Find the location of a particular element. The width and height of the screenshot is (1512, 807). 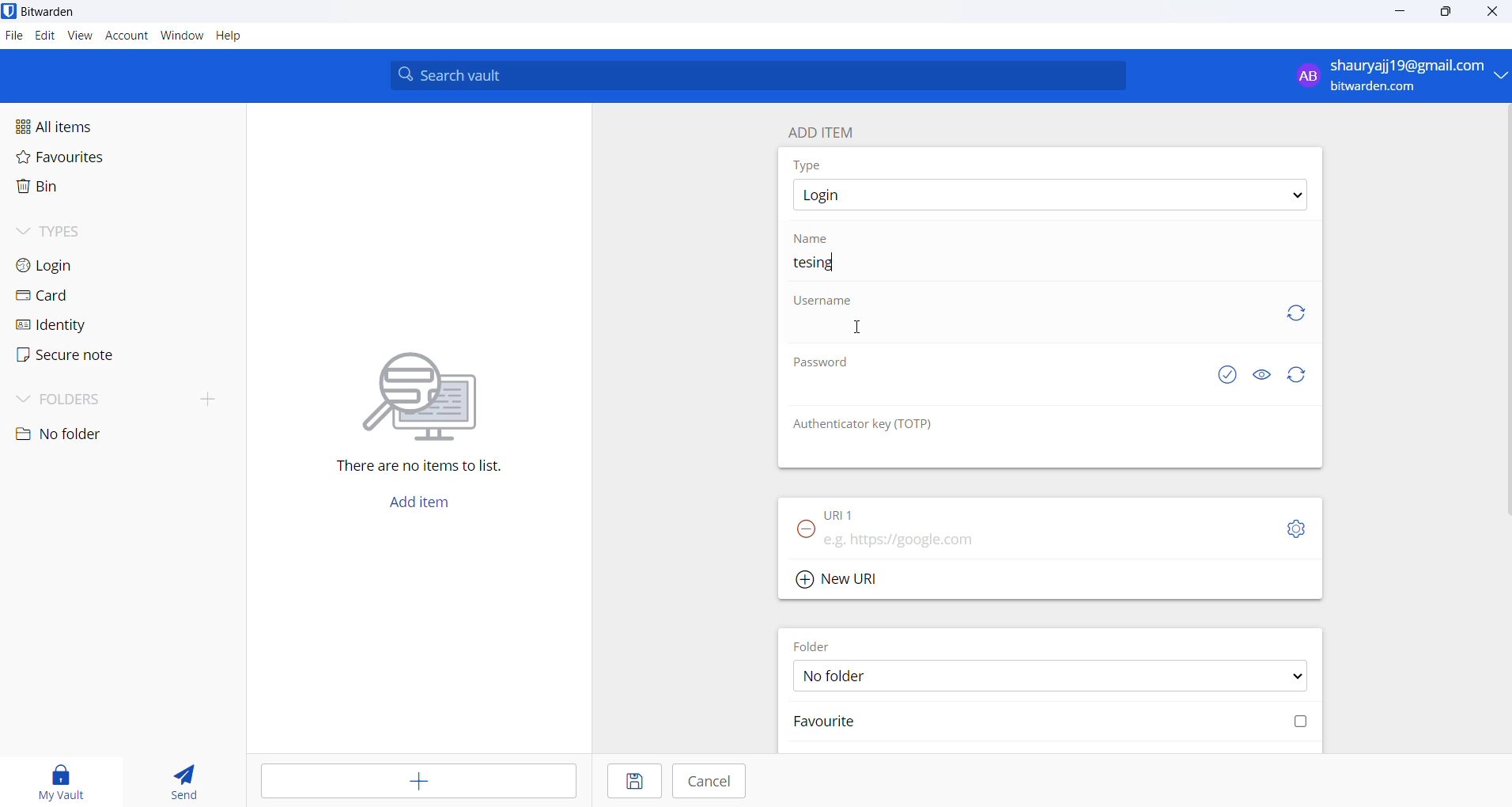

account is located at coordinates (127, 37).